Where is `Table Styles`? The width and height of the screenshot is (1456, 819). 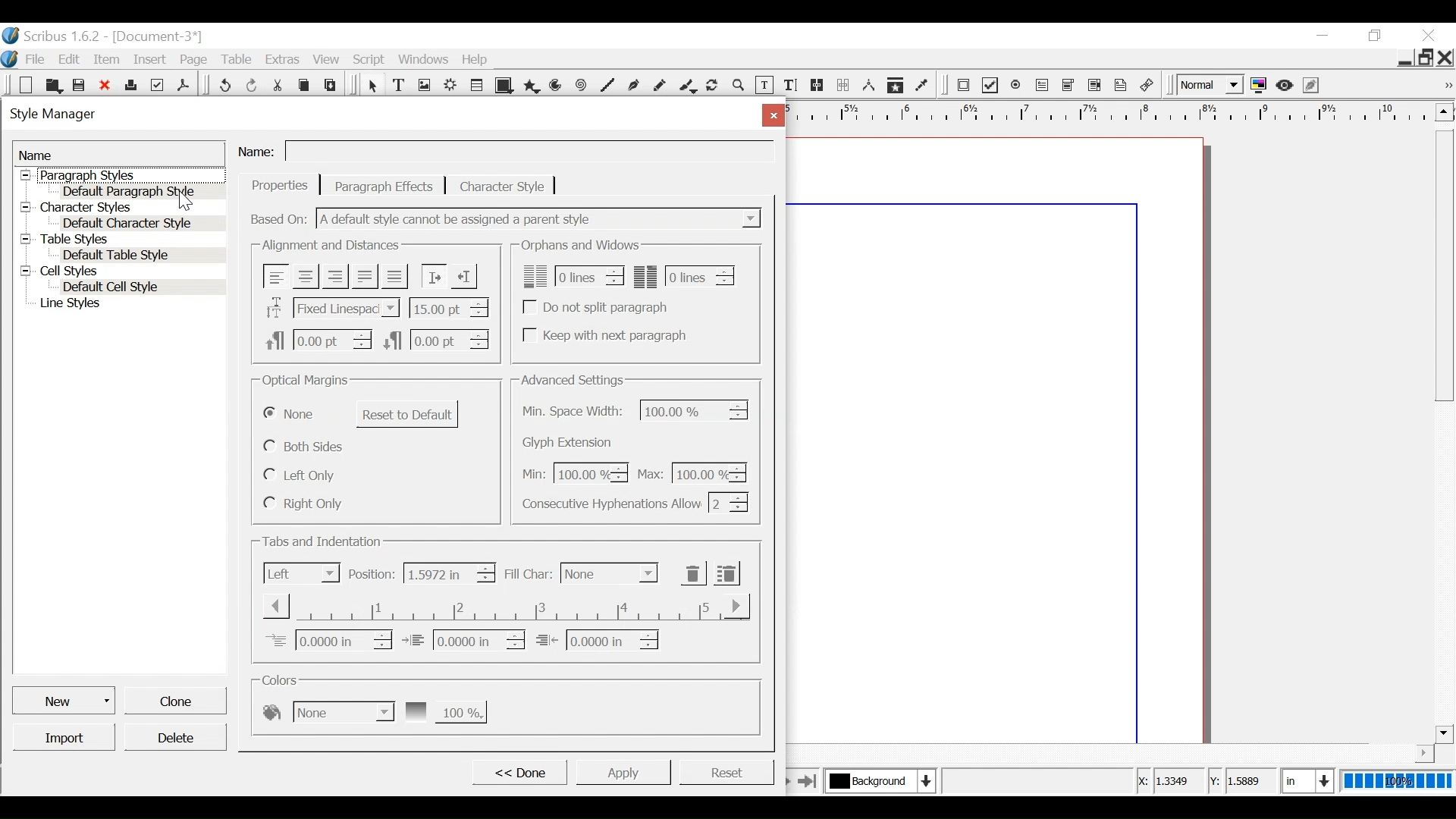 Table Styles is located at coordinates (121, 240).